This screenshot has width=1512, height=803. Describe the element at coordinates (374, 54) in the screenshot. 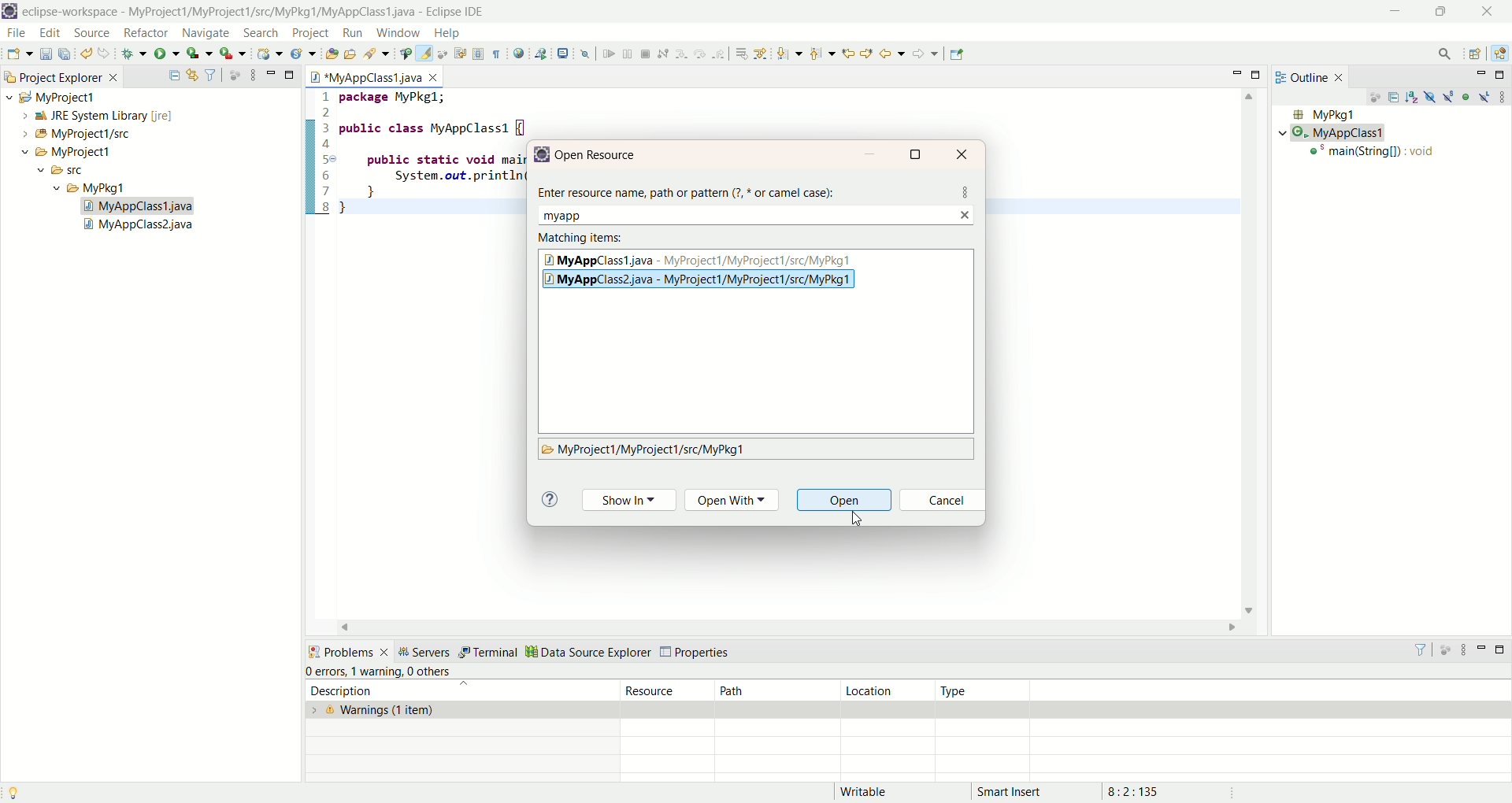

I see `search` at that location.